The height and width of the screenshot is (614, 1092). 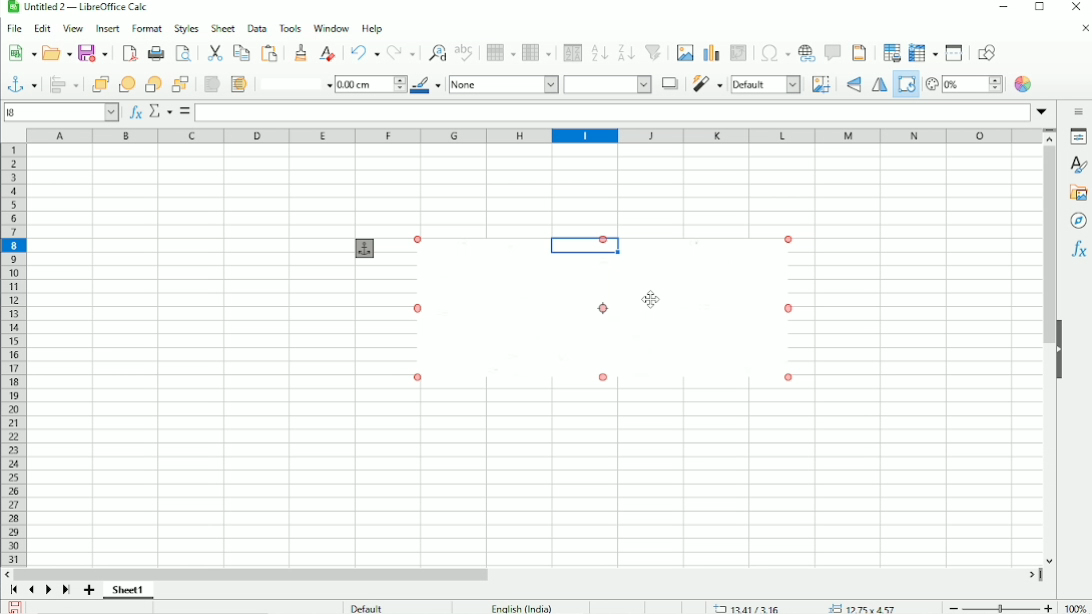 What do you see at coordinates (401, 53) in the screenshot?
I see `Redo` at bounding box center [401, 53].